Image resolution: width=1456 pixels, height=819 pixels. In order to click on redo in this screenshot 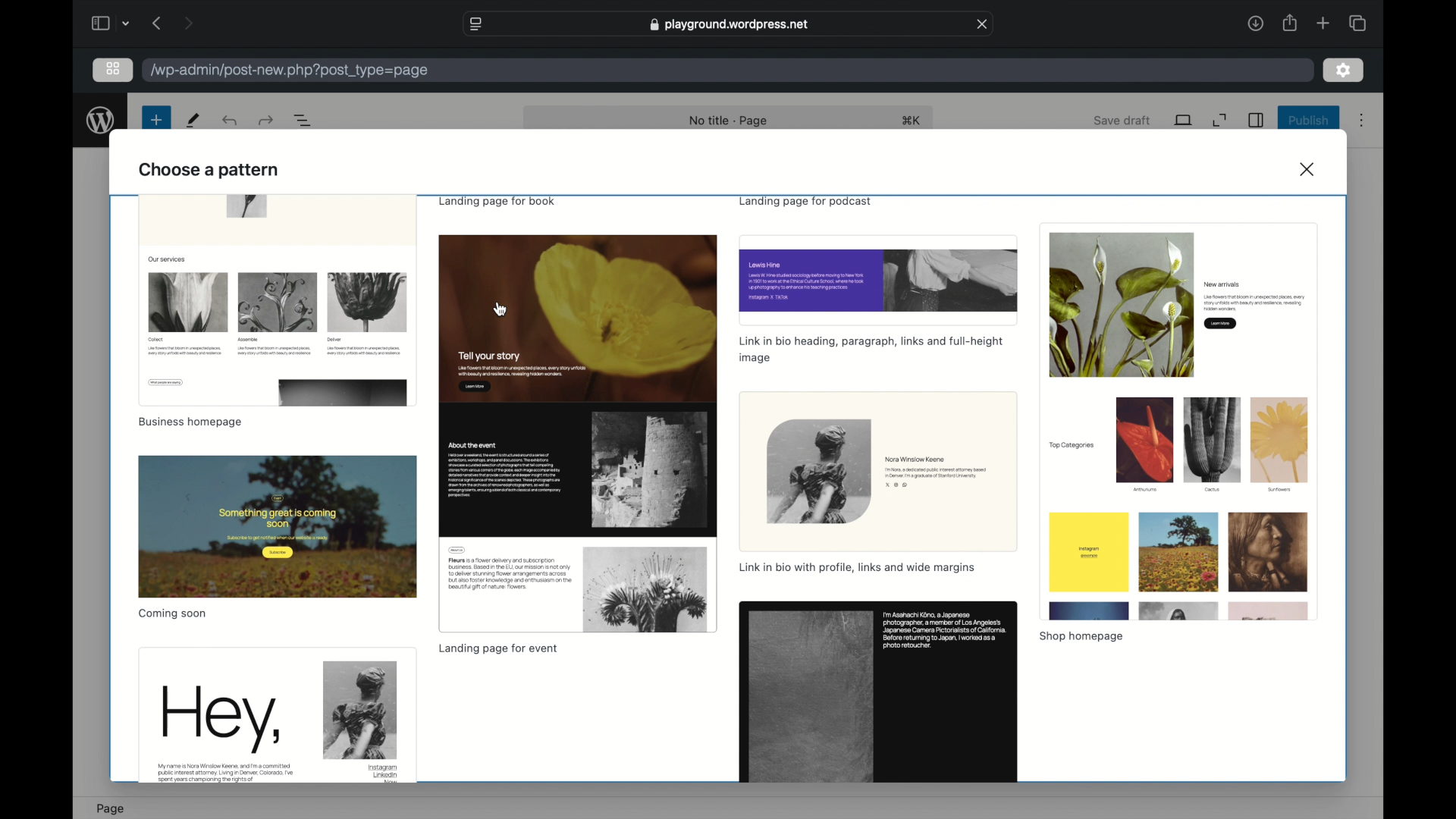, I will do `click(229, 121)`.